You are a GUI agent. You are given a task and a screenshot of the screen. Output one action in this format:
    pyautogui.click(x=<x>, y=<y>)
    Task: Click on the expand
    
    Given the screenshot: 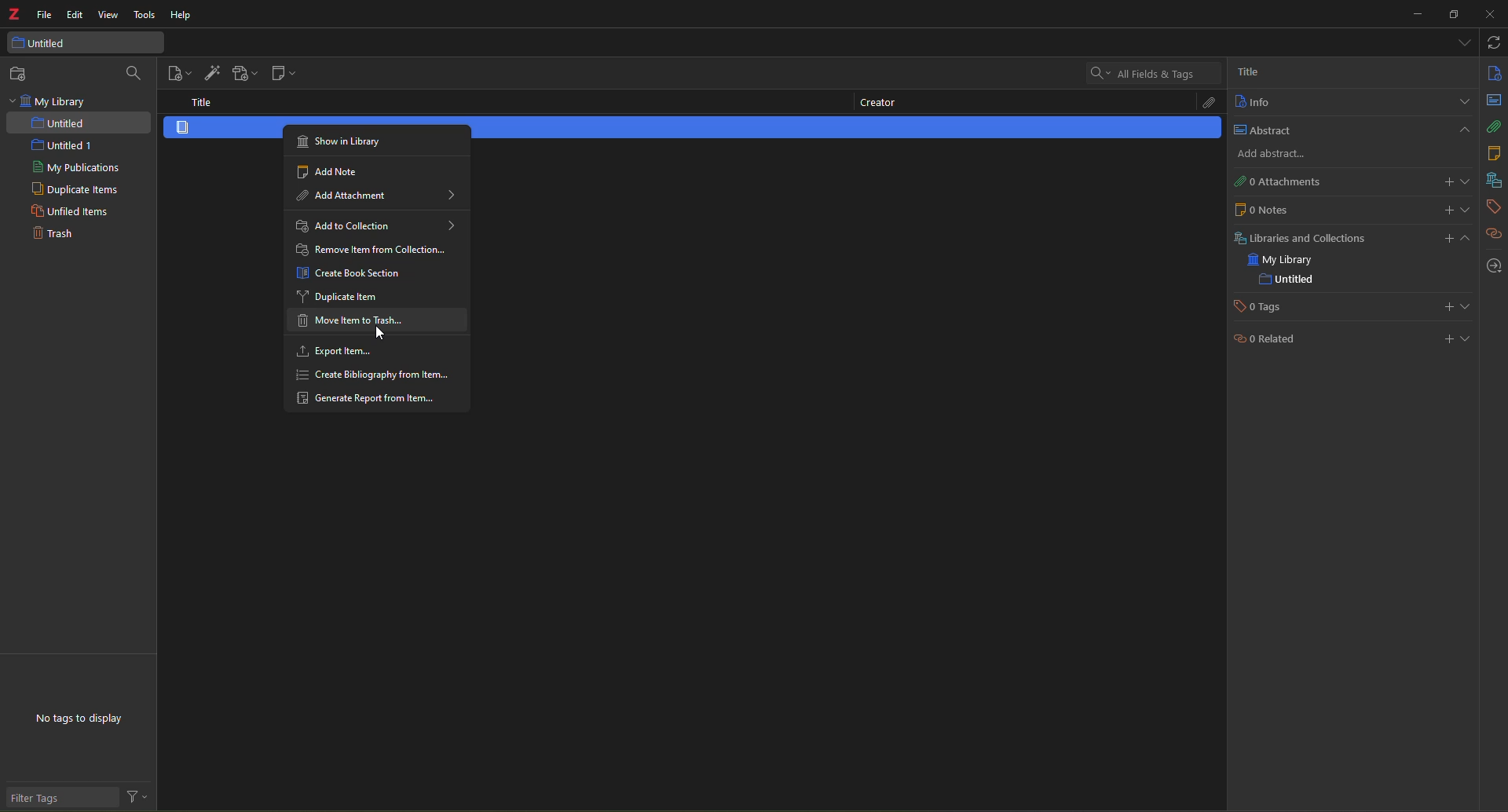 What is the action you would take?
    pyautogui.click(x=1462, y=102)
    